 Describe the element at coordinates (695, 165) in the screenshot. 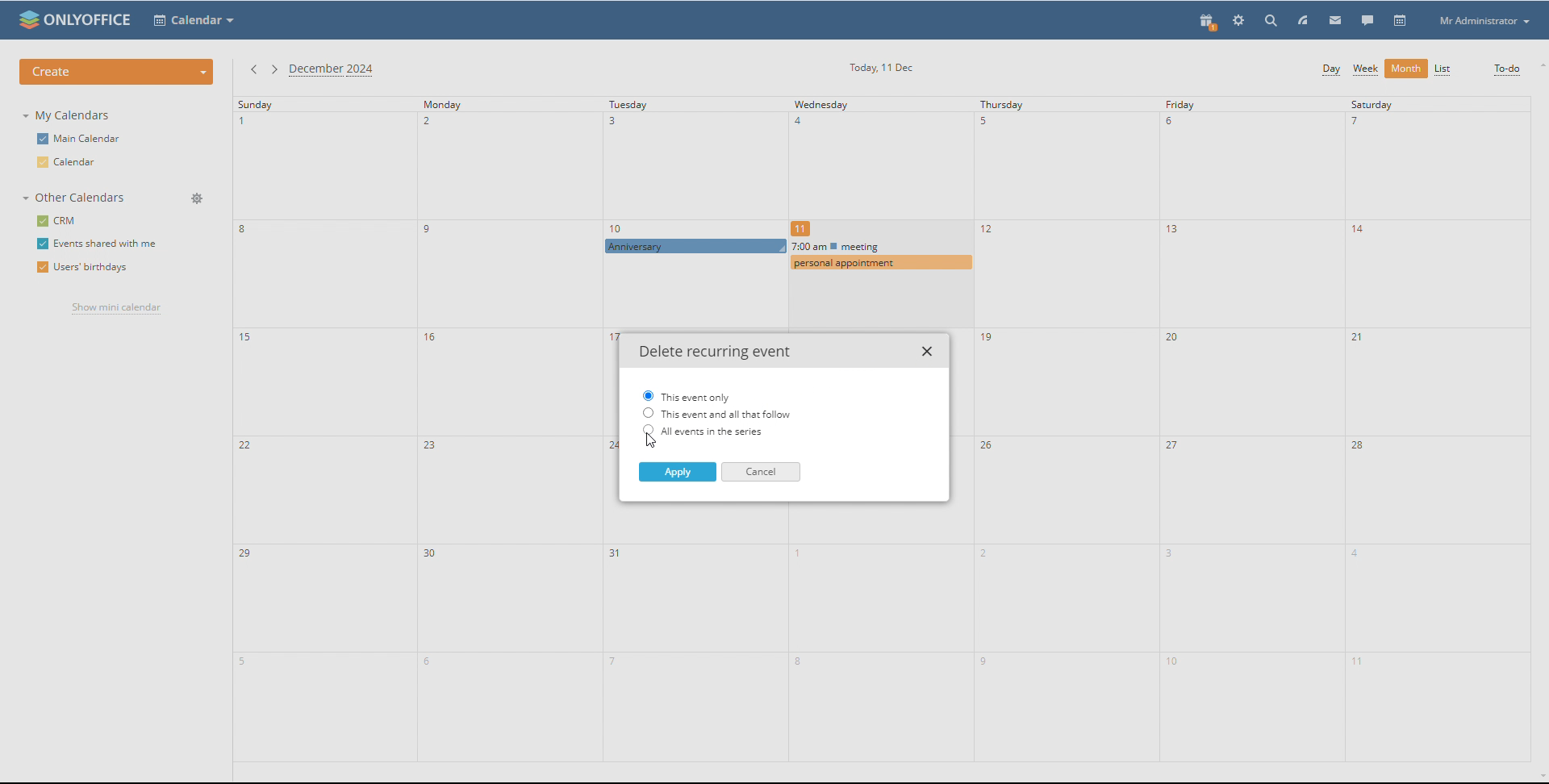

I see `Tuesday` at that location.